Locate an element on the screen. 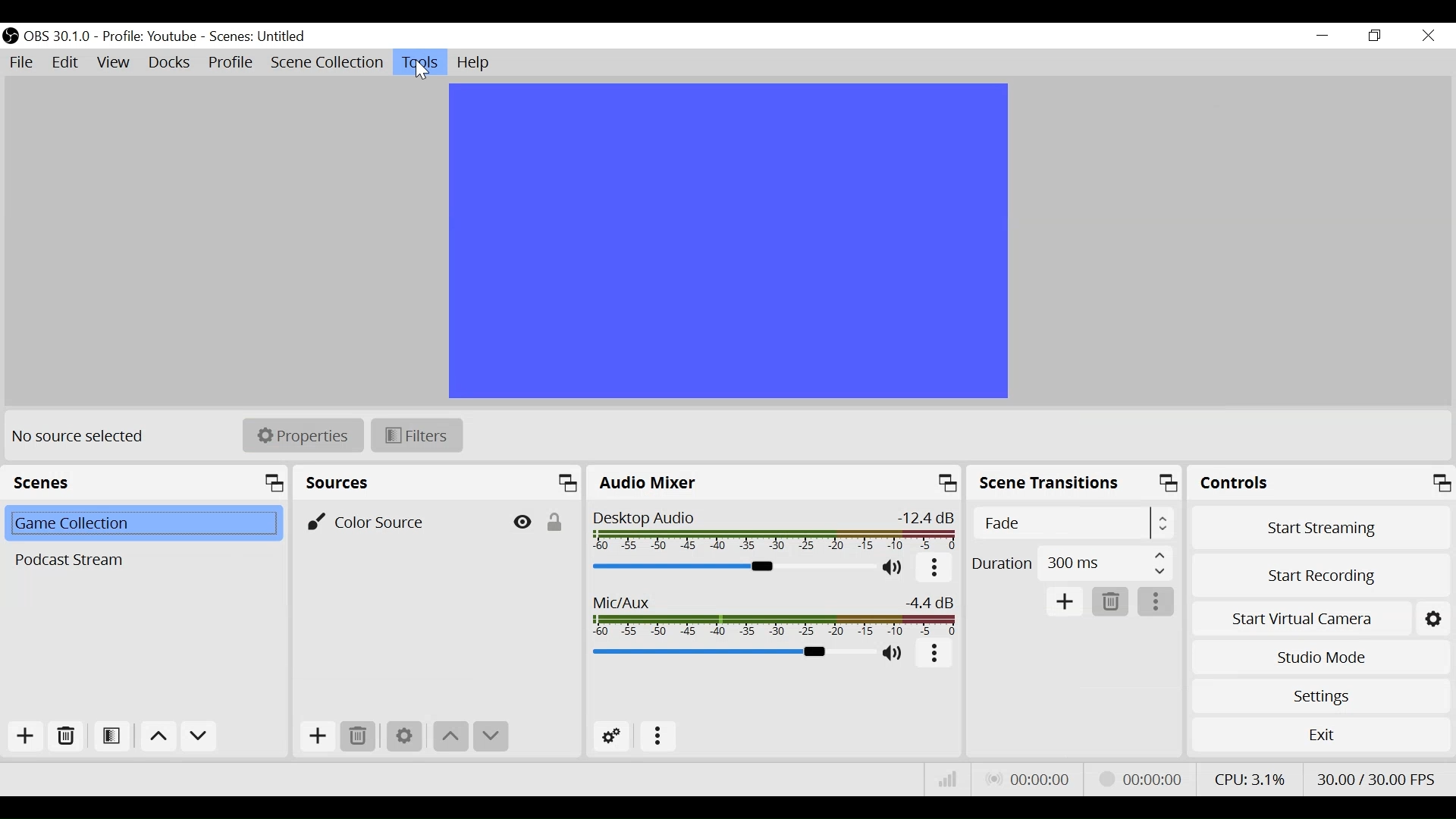 The image size is (1456, 819). scene is located at coordinates (259, 37).